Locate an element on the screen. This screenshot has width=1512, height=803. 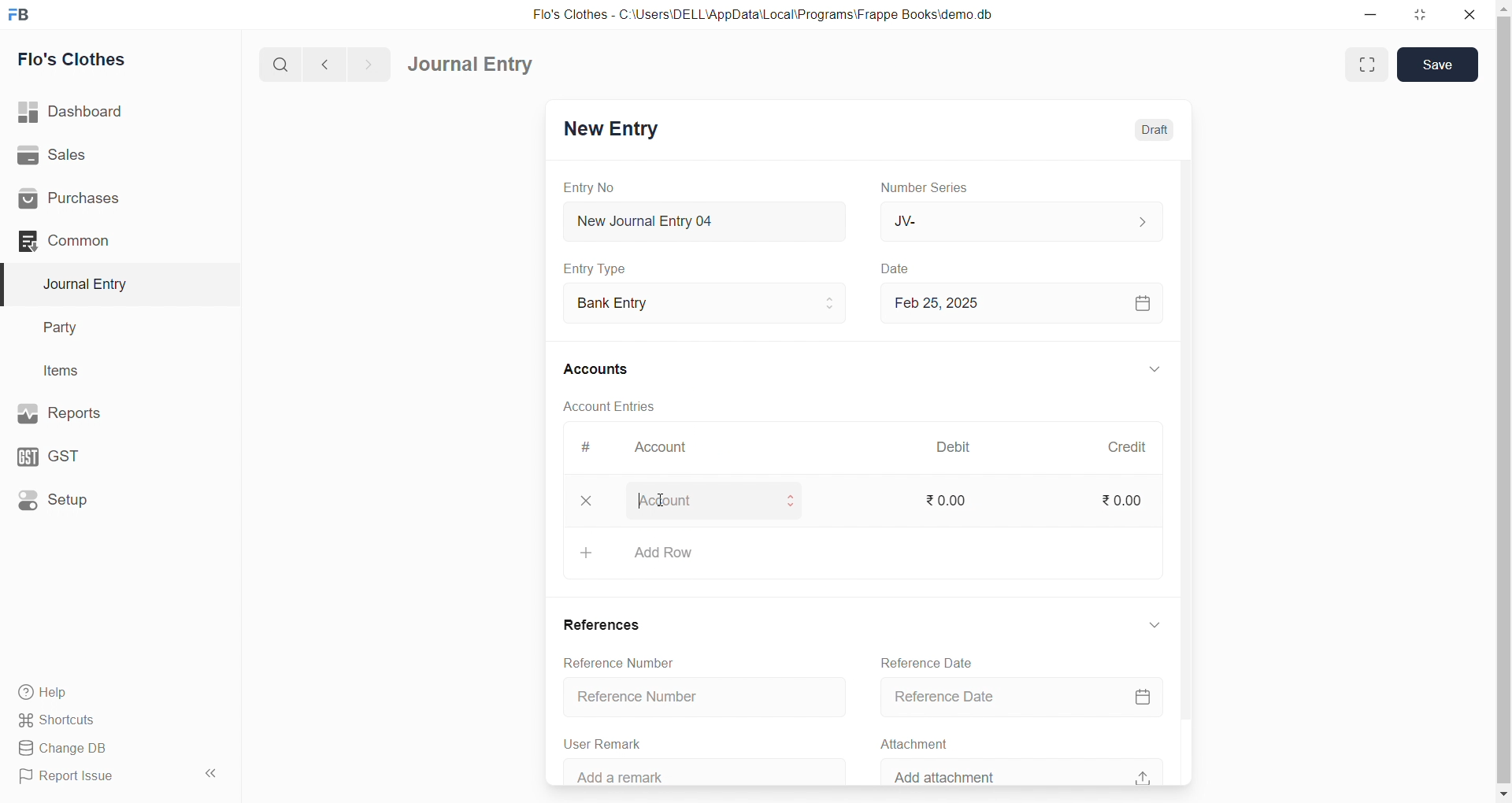
Bank Entry is located at coordinates (712, 304).